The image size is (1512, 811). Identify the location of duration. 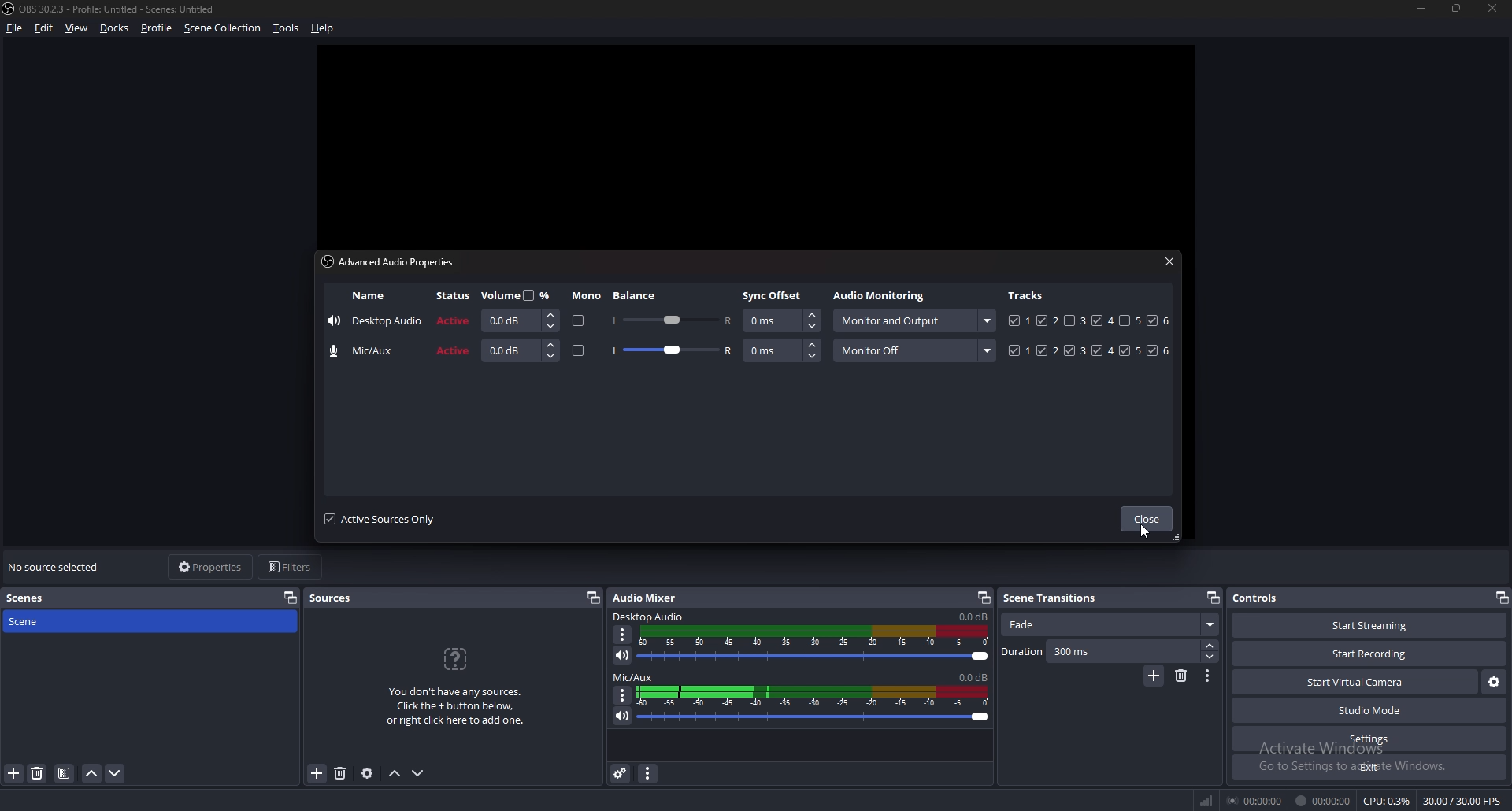
(1099, 652).